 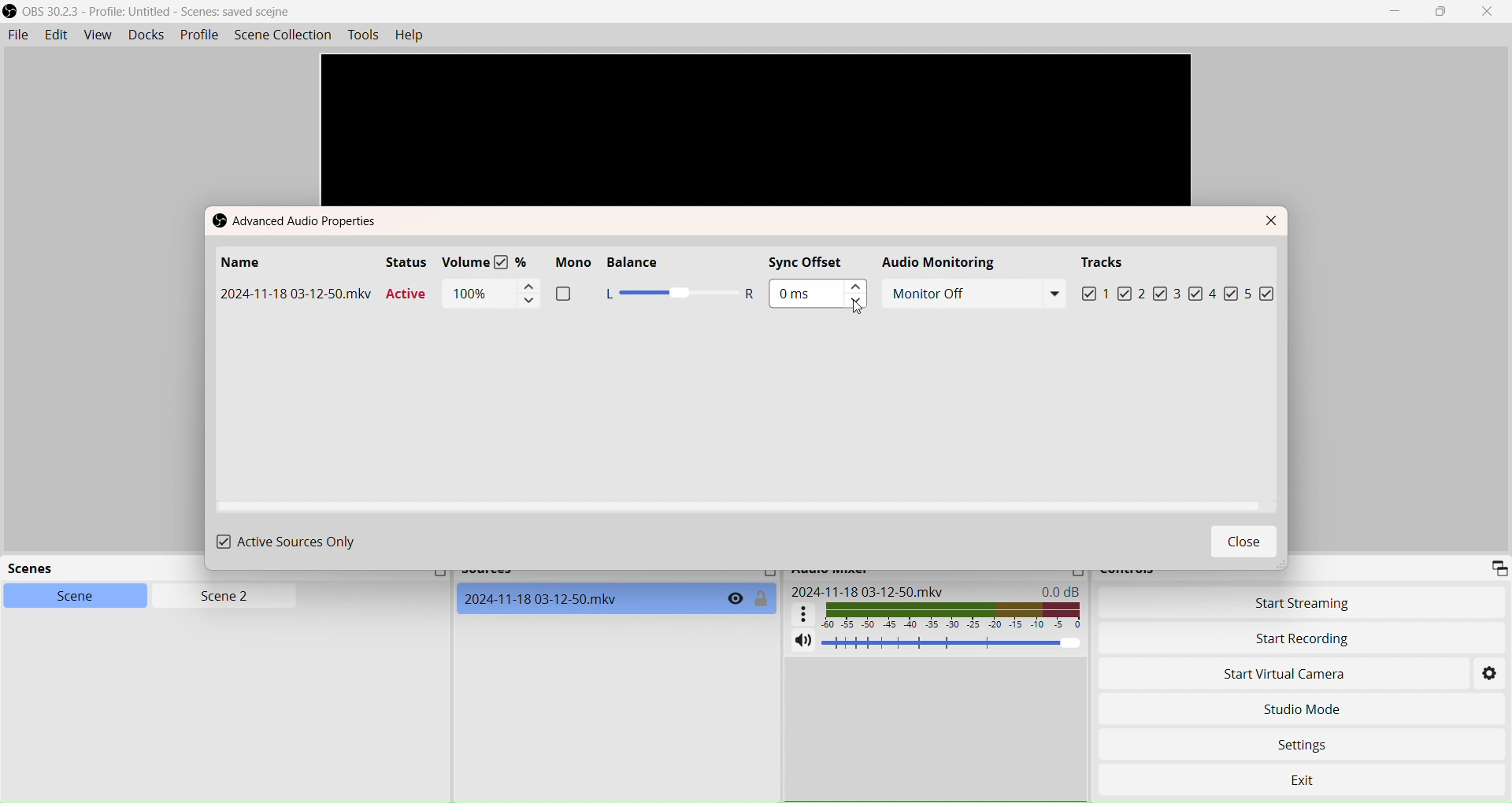 I want to click on Decrement, so click(x=528, y=303).